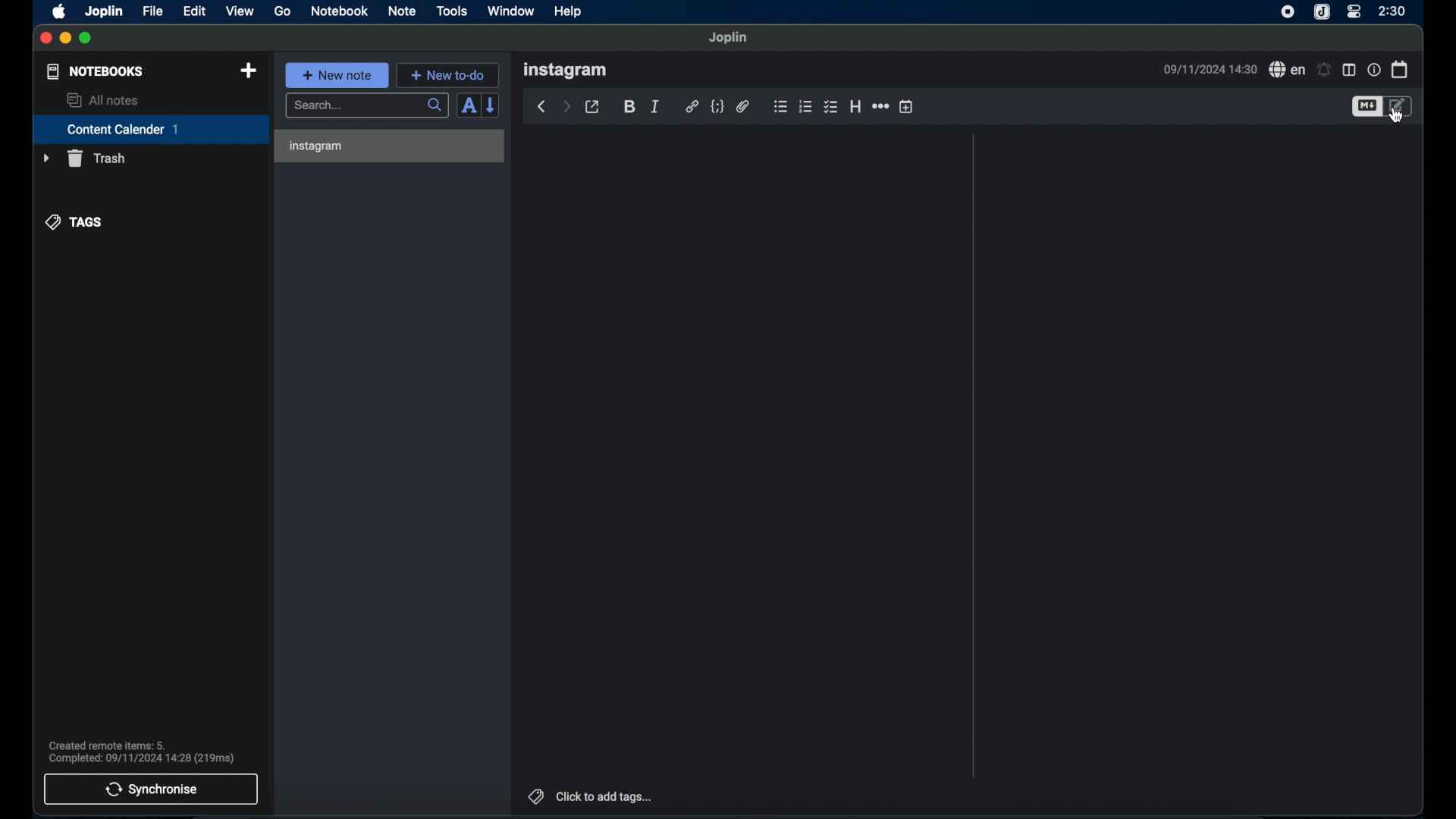  Describe the element at coordinates (1210, 69) in the screenshot. I see `09/11/2024(date and time)` at that location.